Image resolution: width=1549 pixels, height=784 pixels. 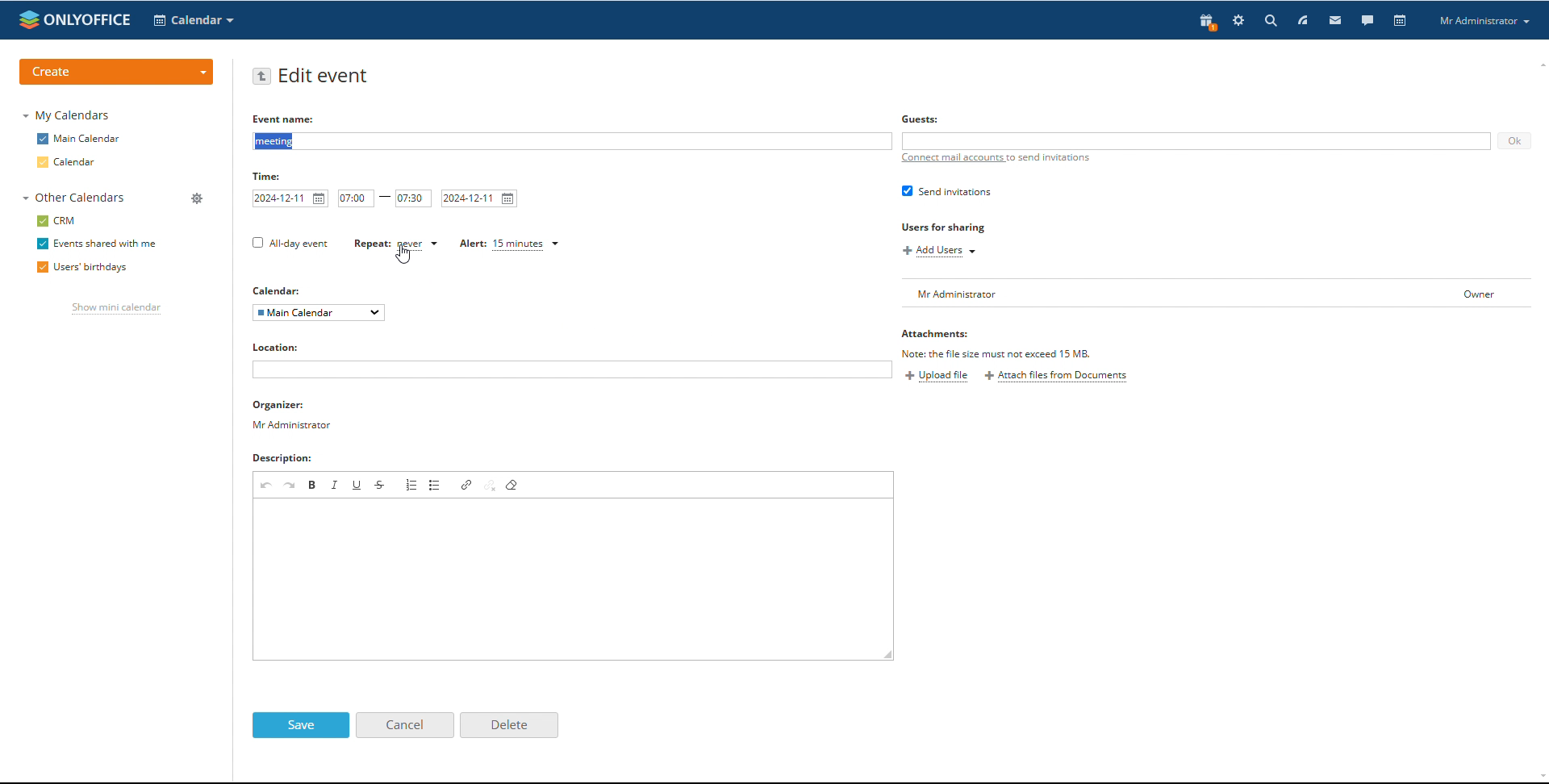 I want to click on guests, so click(x=922, y=119).